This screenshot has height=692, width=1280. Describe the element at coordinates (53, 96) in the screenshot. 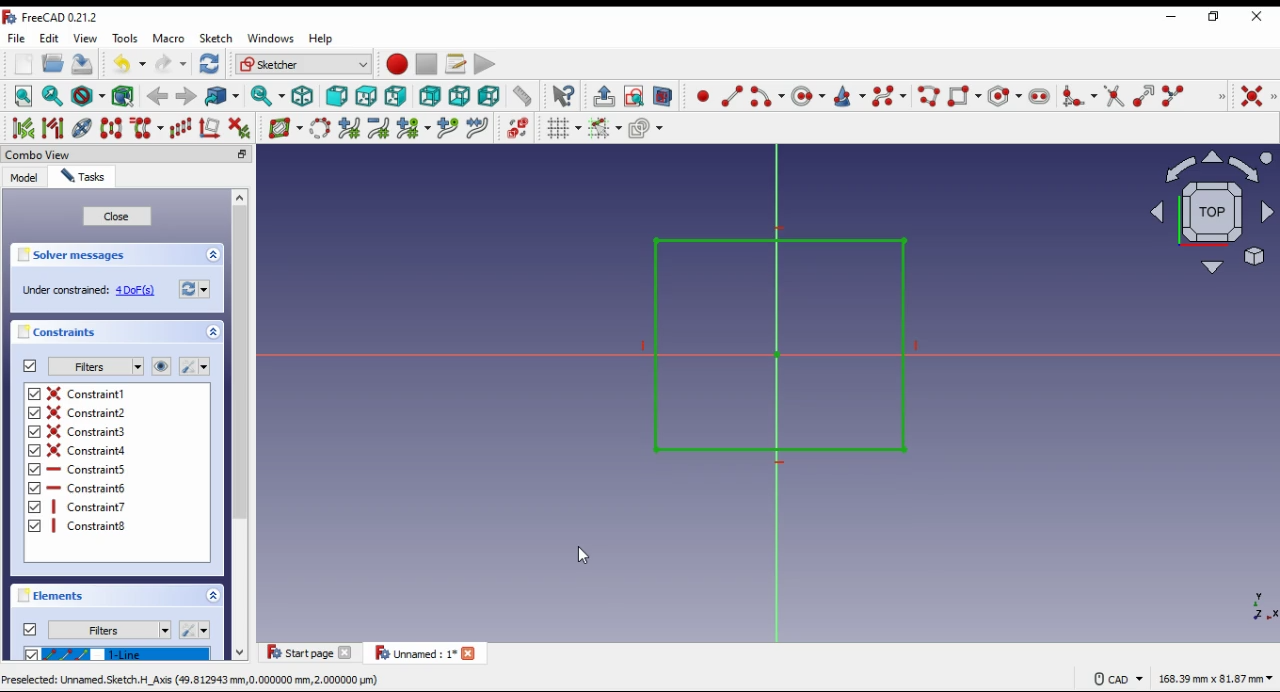

I see `fit selection` at that location.